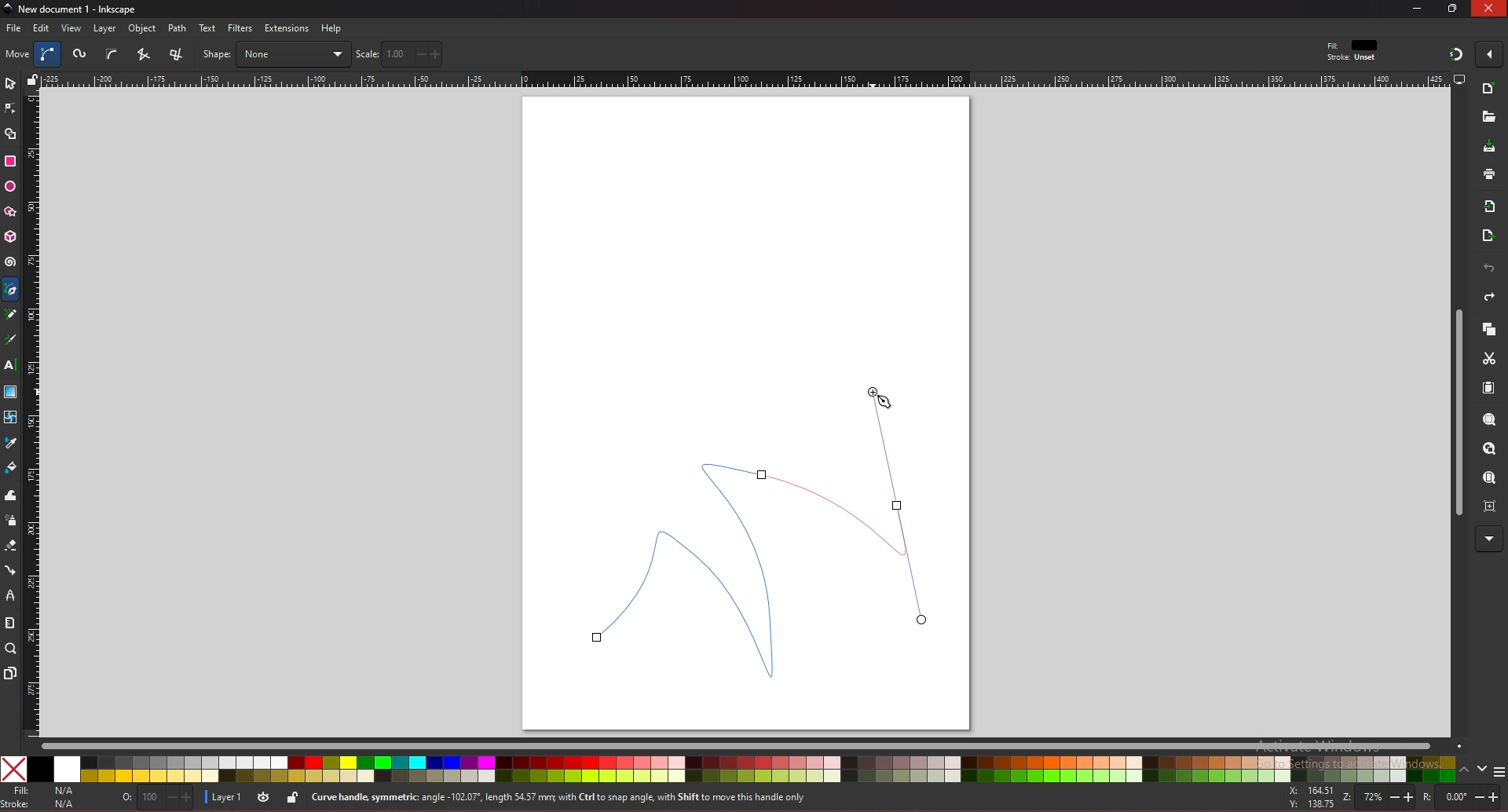 The height and width of the screenshot is (812, 1508). I want to click on filters, so click(241, 28).